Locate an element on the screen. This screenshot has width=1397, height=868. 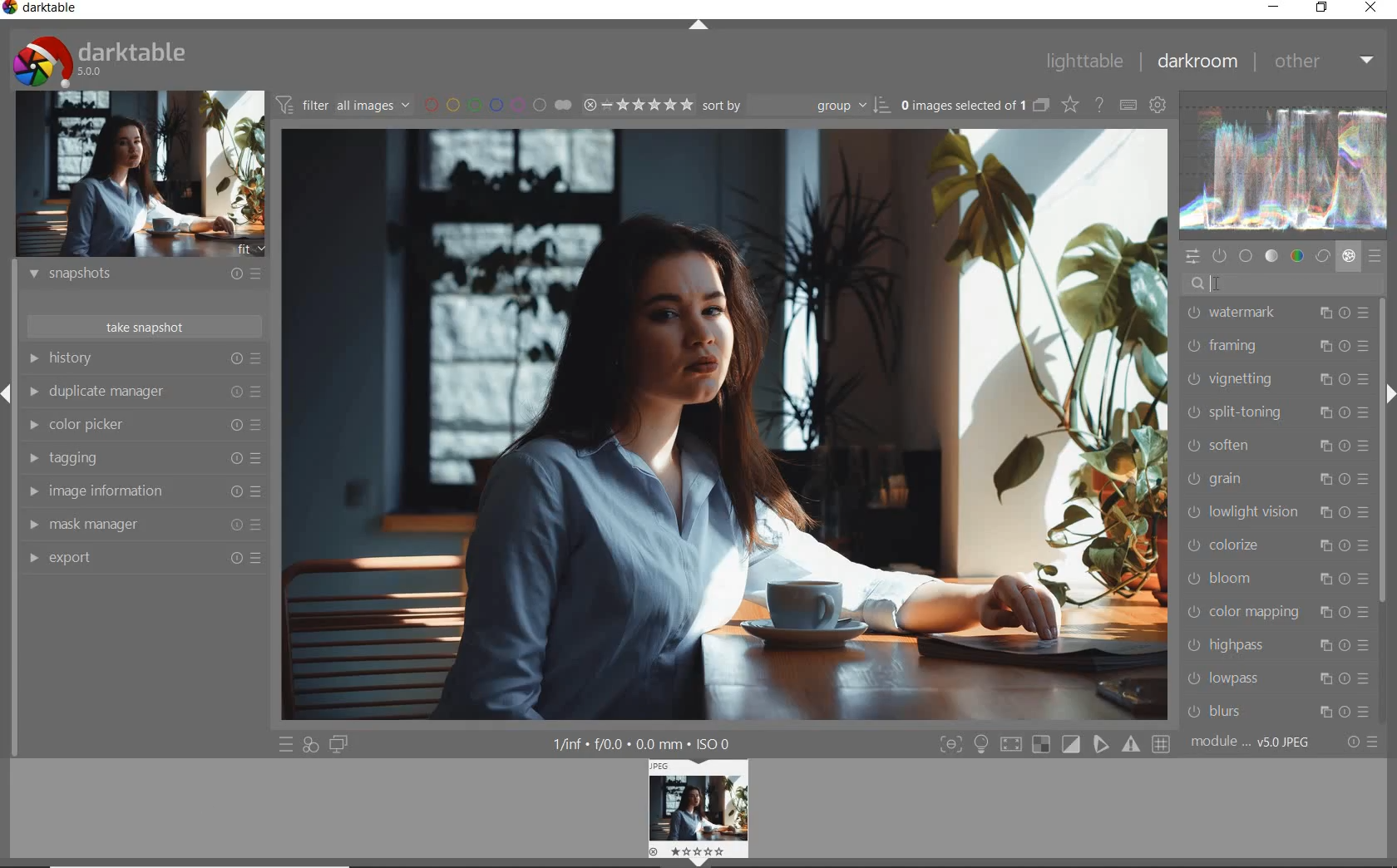
filter images based on their modules is located at coordinates (343, 103).